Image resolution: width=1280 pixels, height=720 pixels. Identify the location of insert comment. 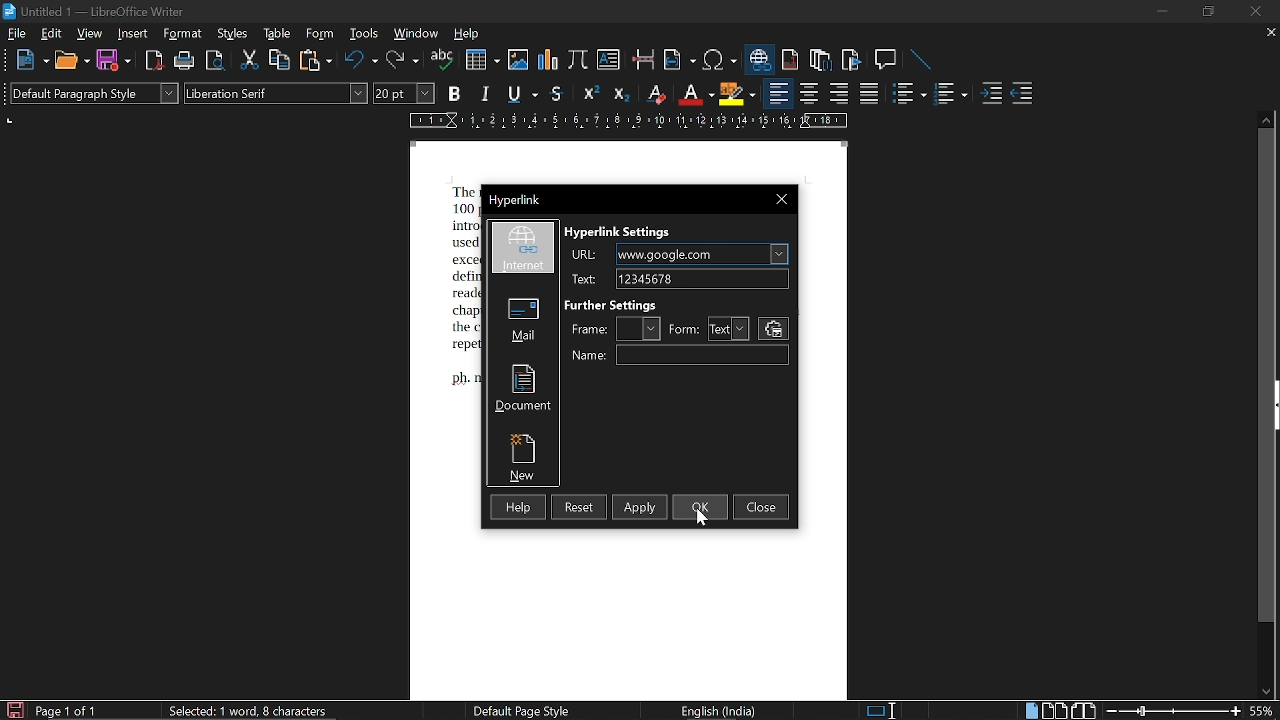
(885, 59).